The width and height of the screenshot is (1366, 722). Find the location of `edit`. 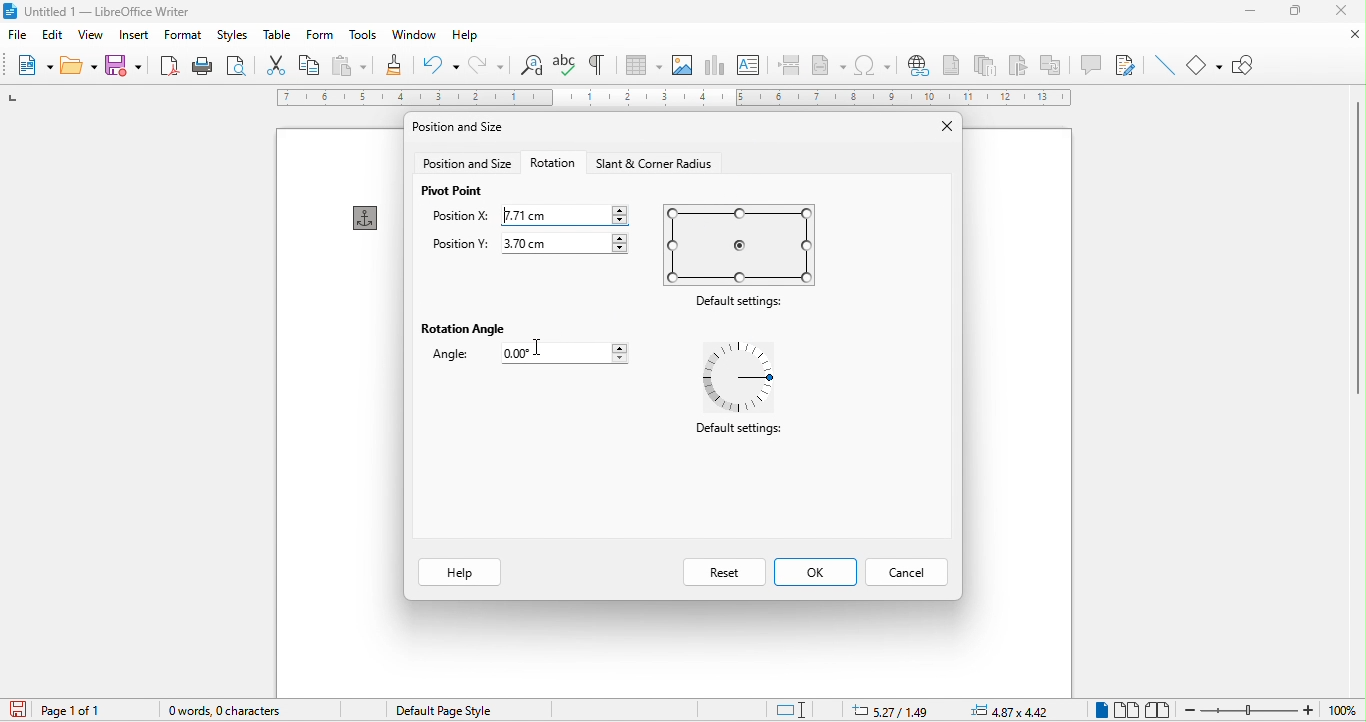

edit is located at coordinates (55, 35).